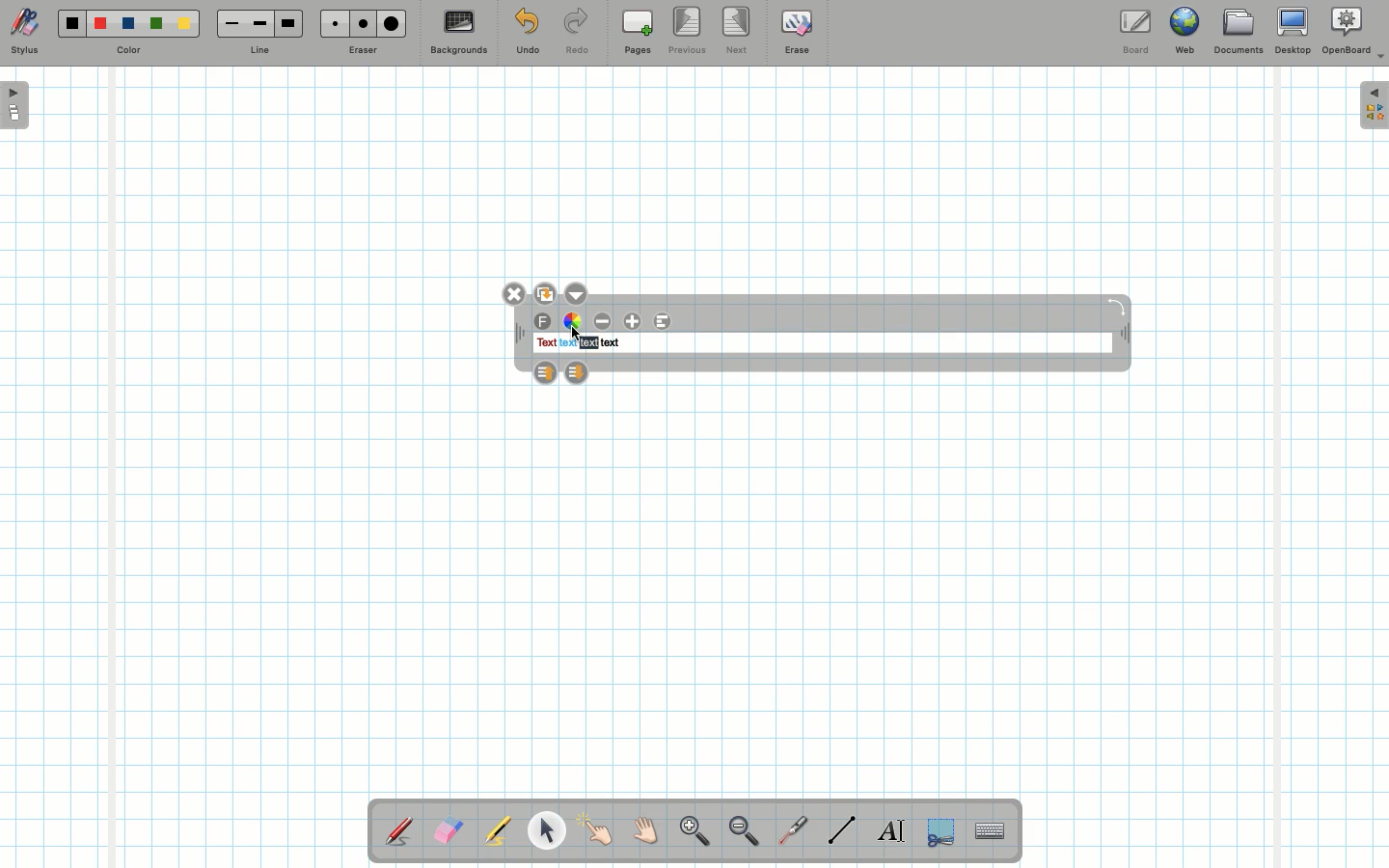 This screenshot has height=868, width=1389. What do you see at coordinates (577, 35) in the screenshot?
I see `Redo` at bounding box center [577, 35].